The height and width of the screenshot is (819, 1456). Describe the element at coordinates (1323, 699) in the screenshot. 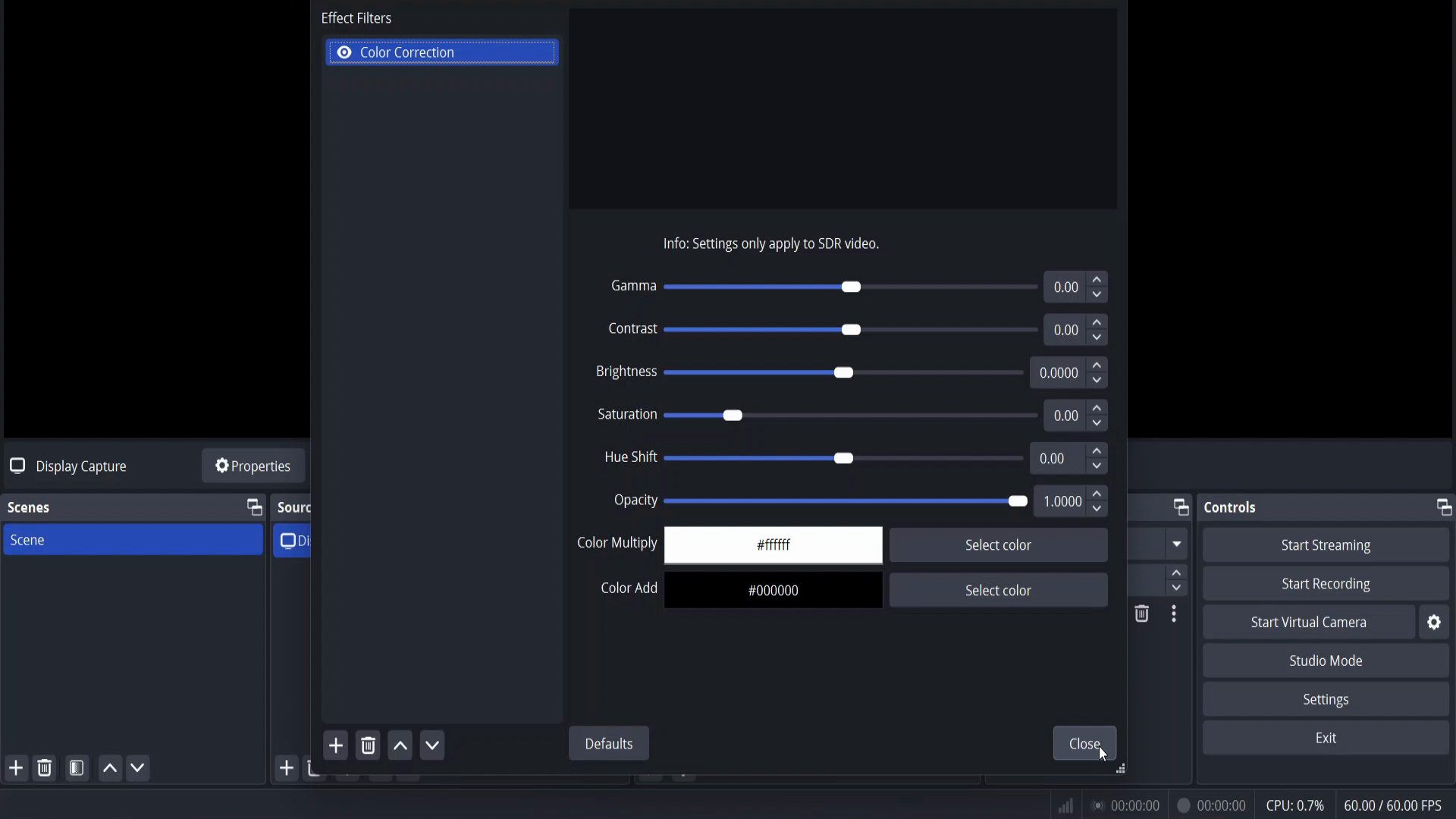

I see `settings` at that location.